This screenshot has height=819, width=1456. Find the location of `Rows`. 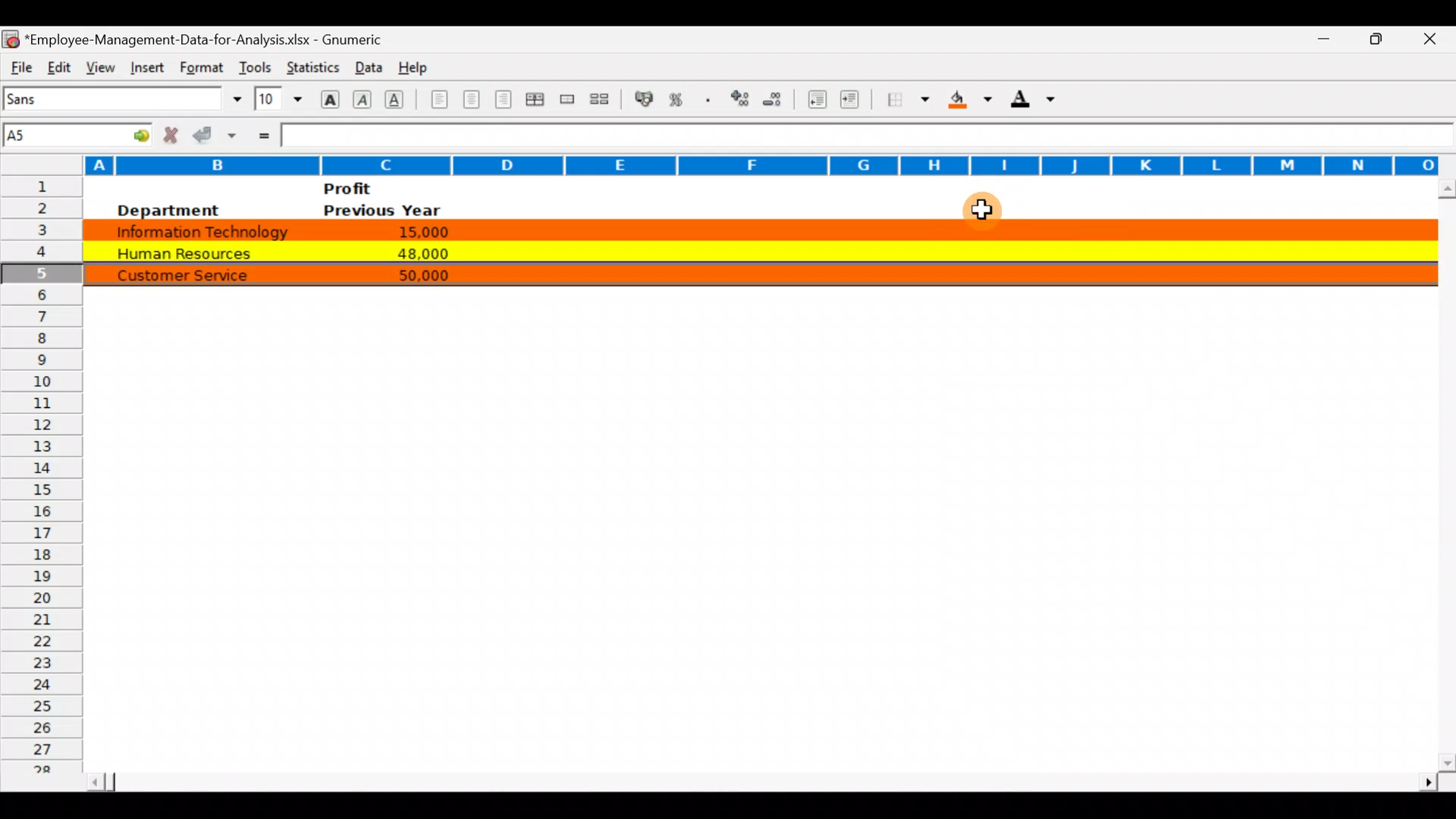

Rows is located at coordinates (41, 480).